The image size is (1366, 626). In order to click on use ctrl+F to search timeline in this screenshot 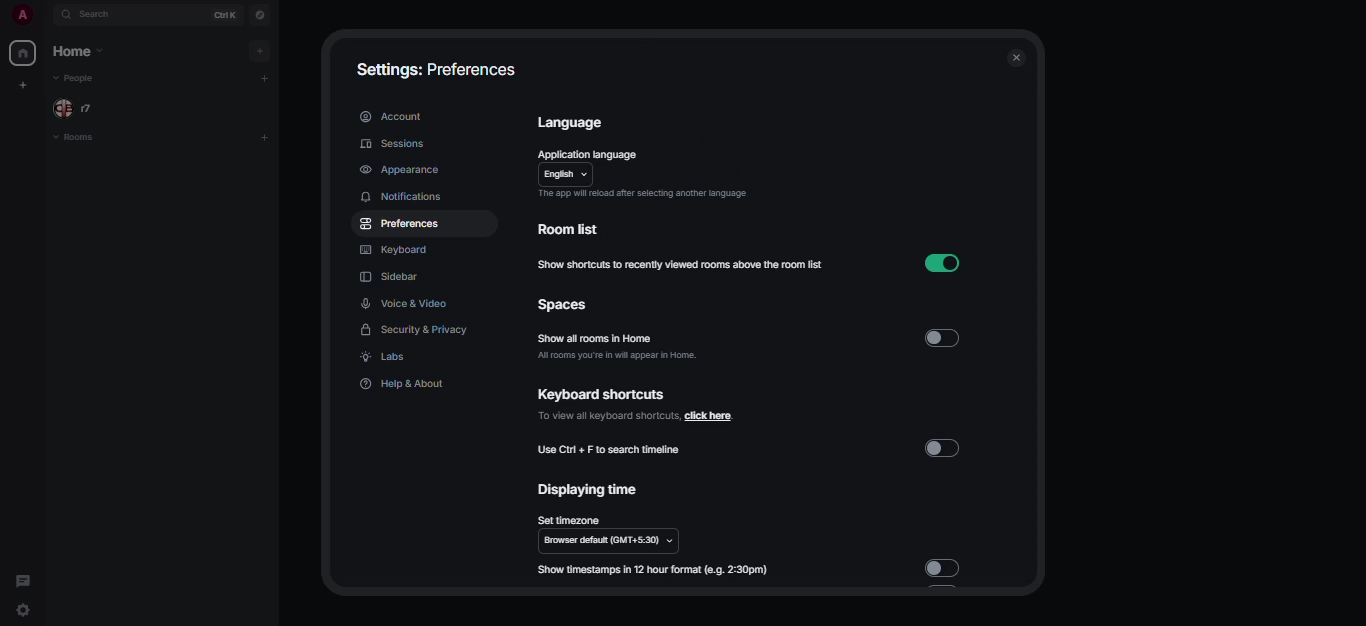, I will do `click(606, 449)`.